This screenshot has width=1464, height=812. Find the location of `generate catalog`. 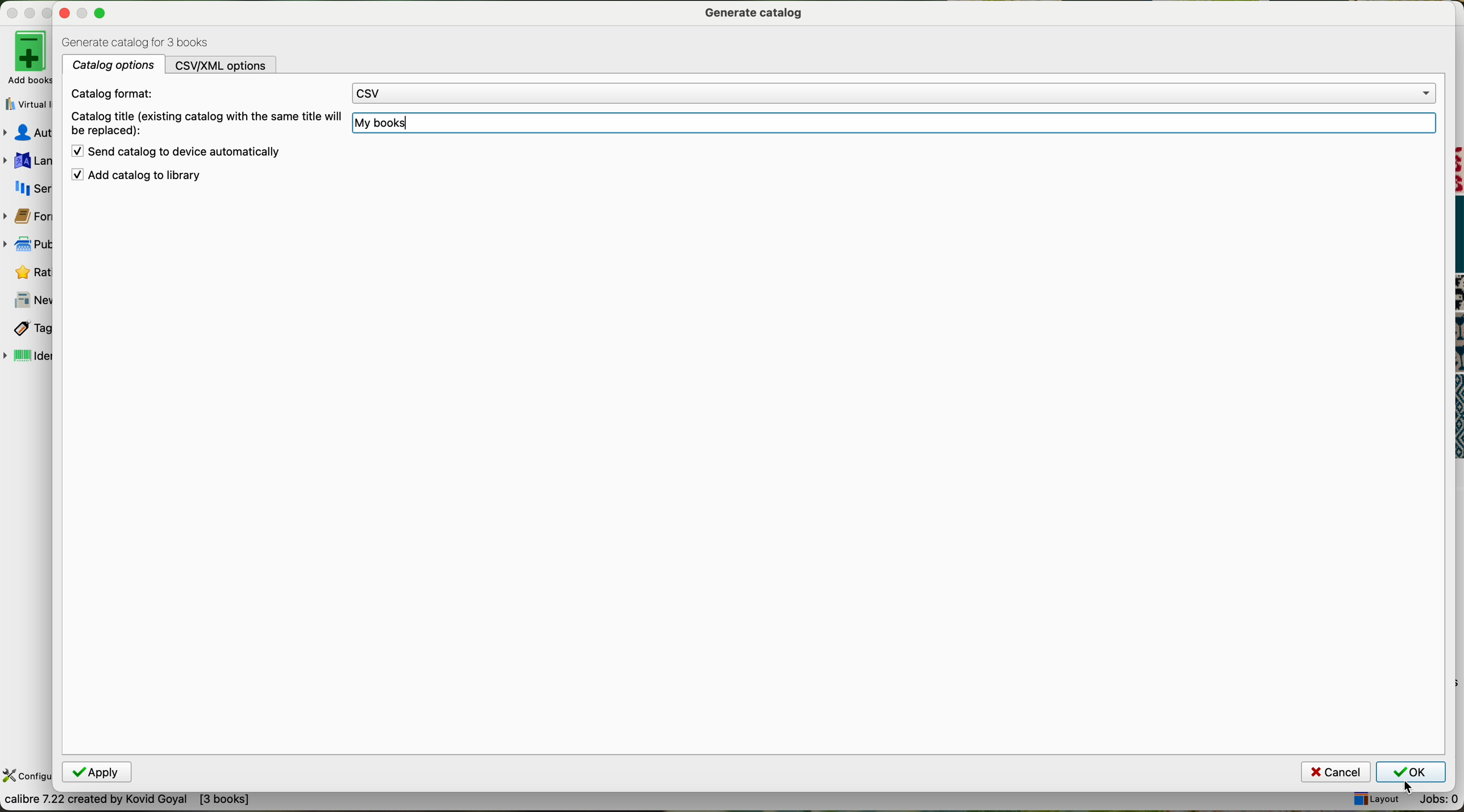

generate catalog is located at coordinates (754, 15).